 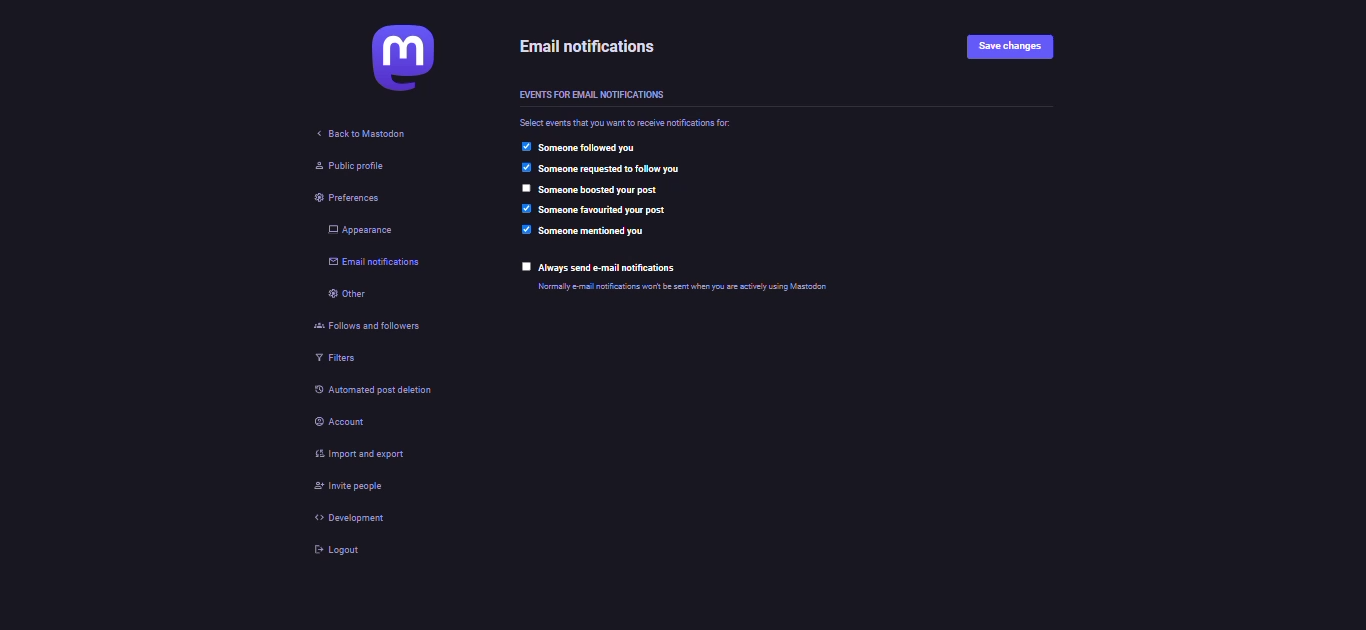 What do you see at coordinates (645, 169) in the screenshot?
I see `someone requested to follow you` at bounding box center [645, 169].